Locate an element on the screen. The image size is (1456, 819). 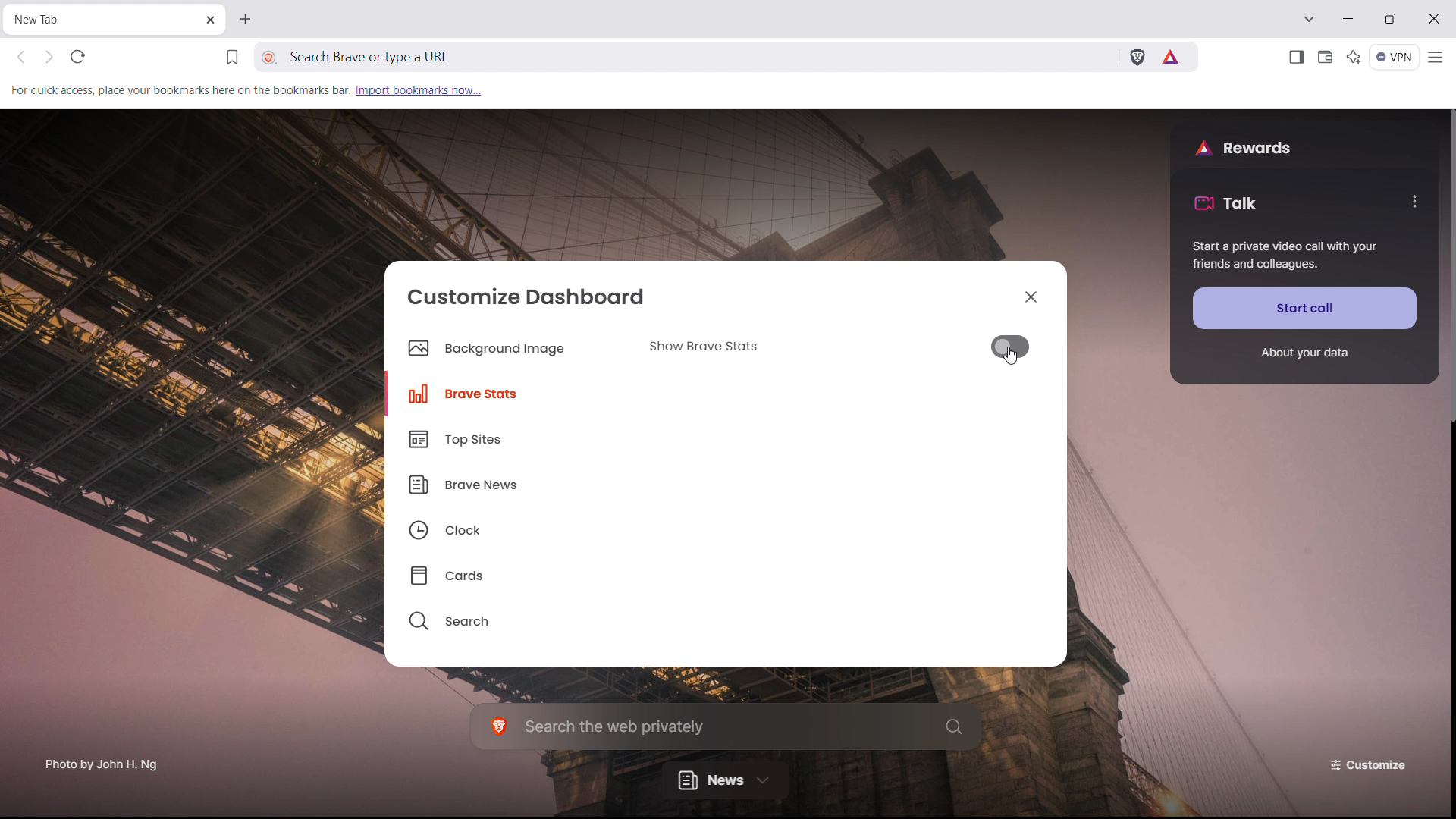
reload this page is located at coordinates (78, 56).